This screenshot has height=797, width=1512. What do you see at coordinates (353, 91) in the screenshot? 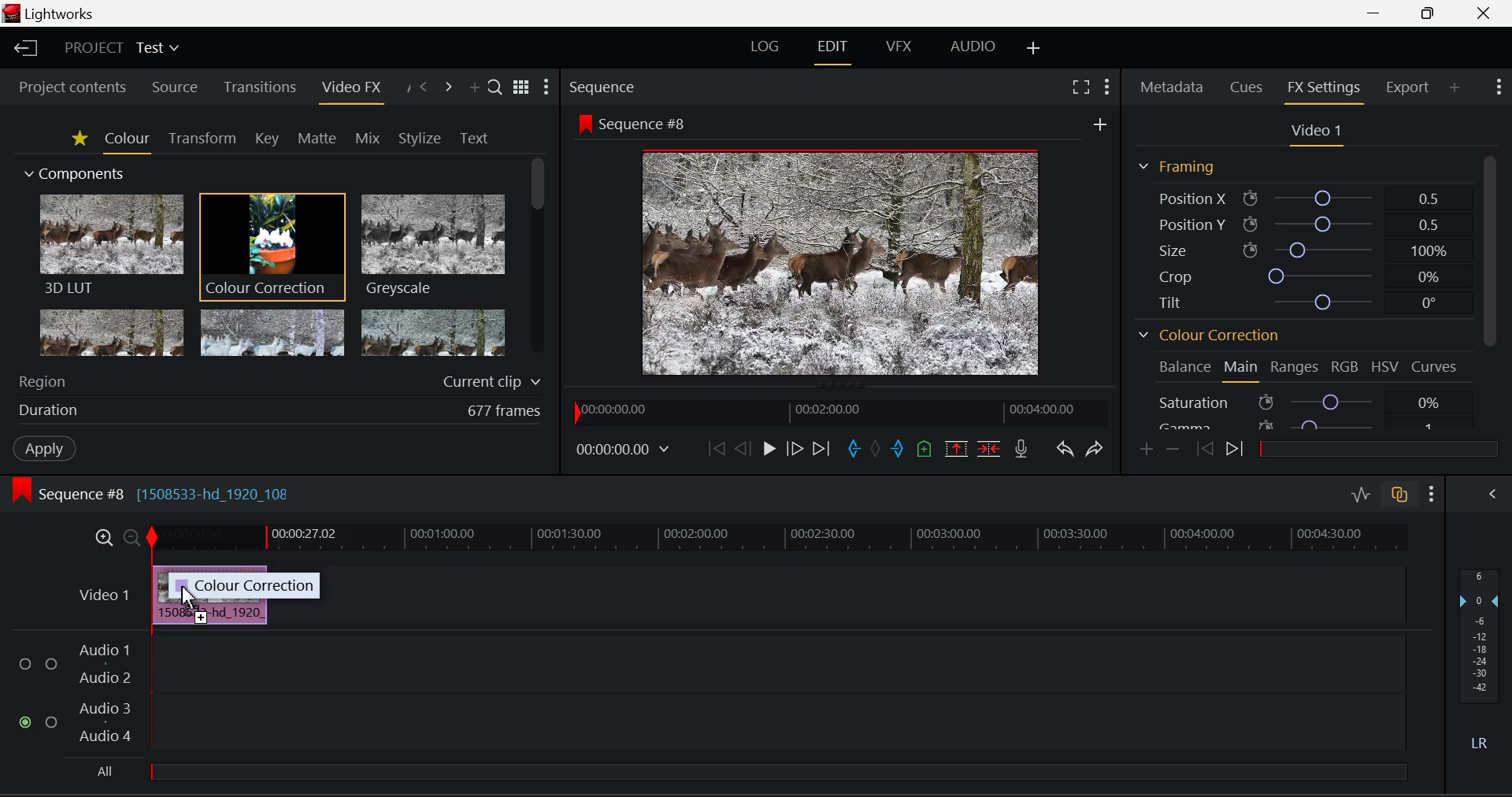
I see `Video FX Open` at bounding box center [353, 91].